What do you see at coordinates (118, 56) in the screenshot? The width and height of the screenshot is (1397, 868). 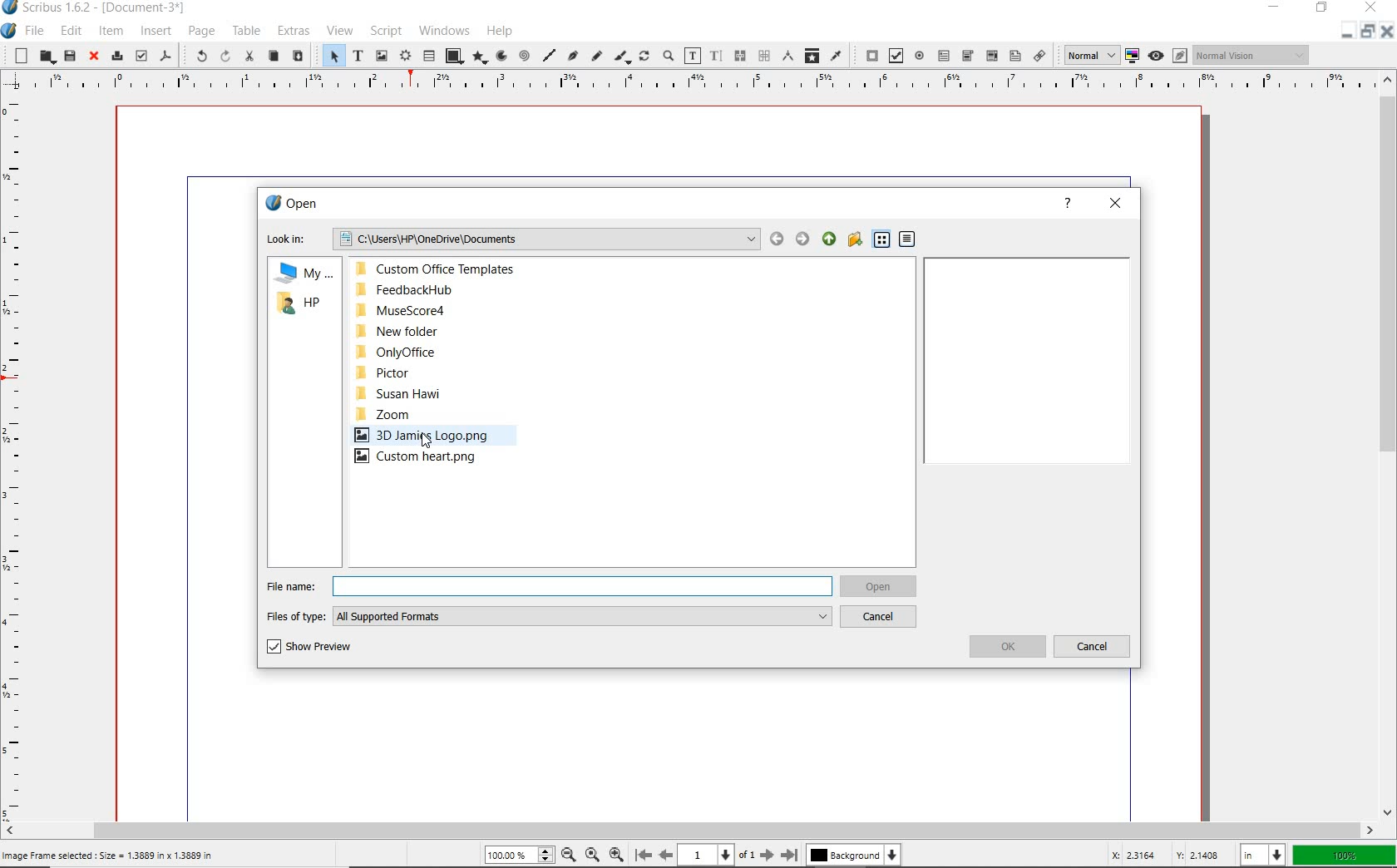 I see `print` at bounding box center [118, 56].